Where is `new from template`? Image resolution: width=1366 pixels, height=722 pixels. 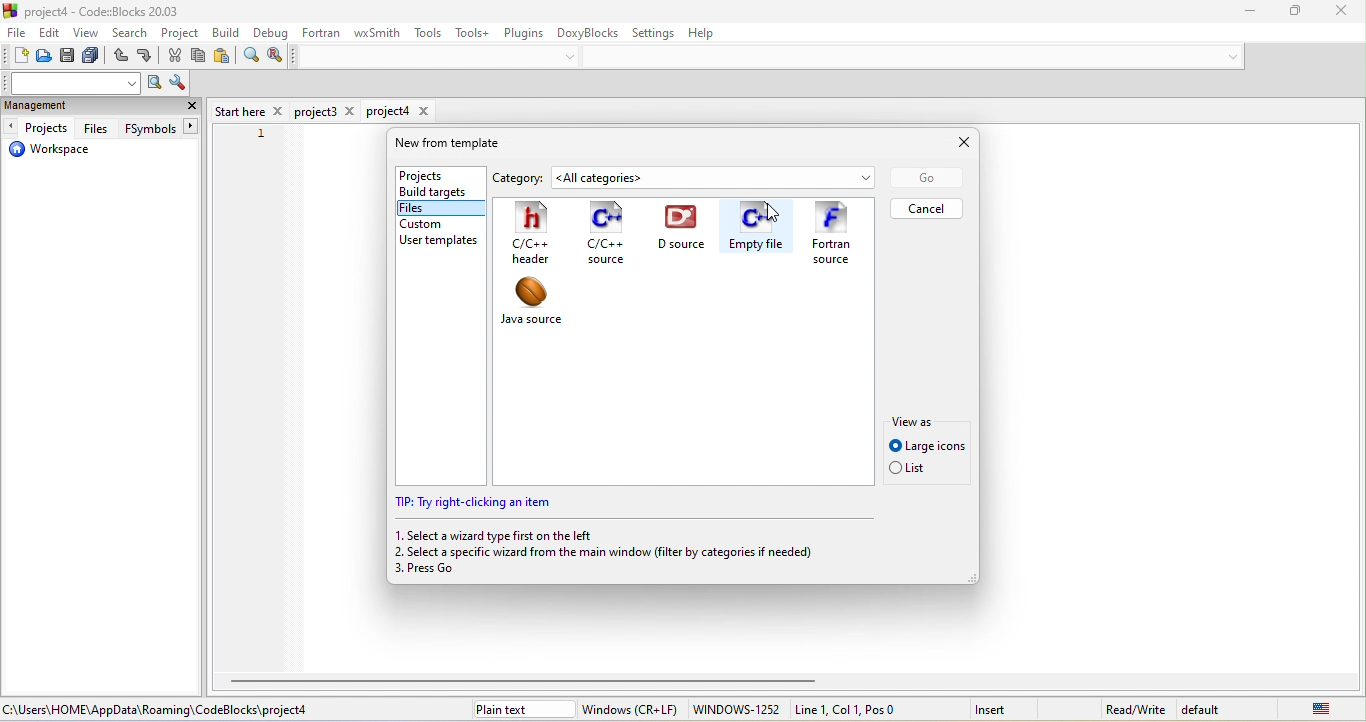
new from template is located at coordinates (458, 143).